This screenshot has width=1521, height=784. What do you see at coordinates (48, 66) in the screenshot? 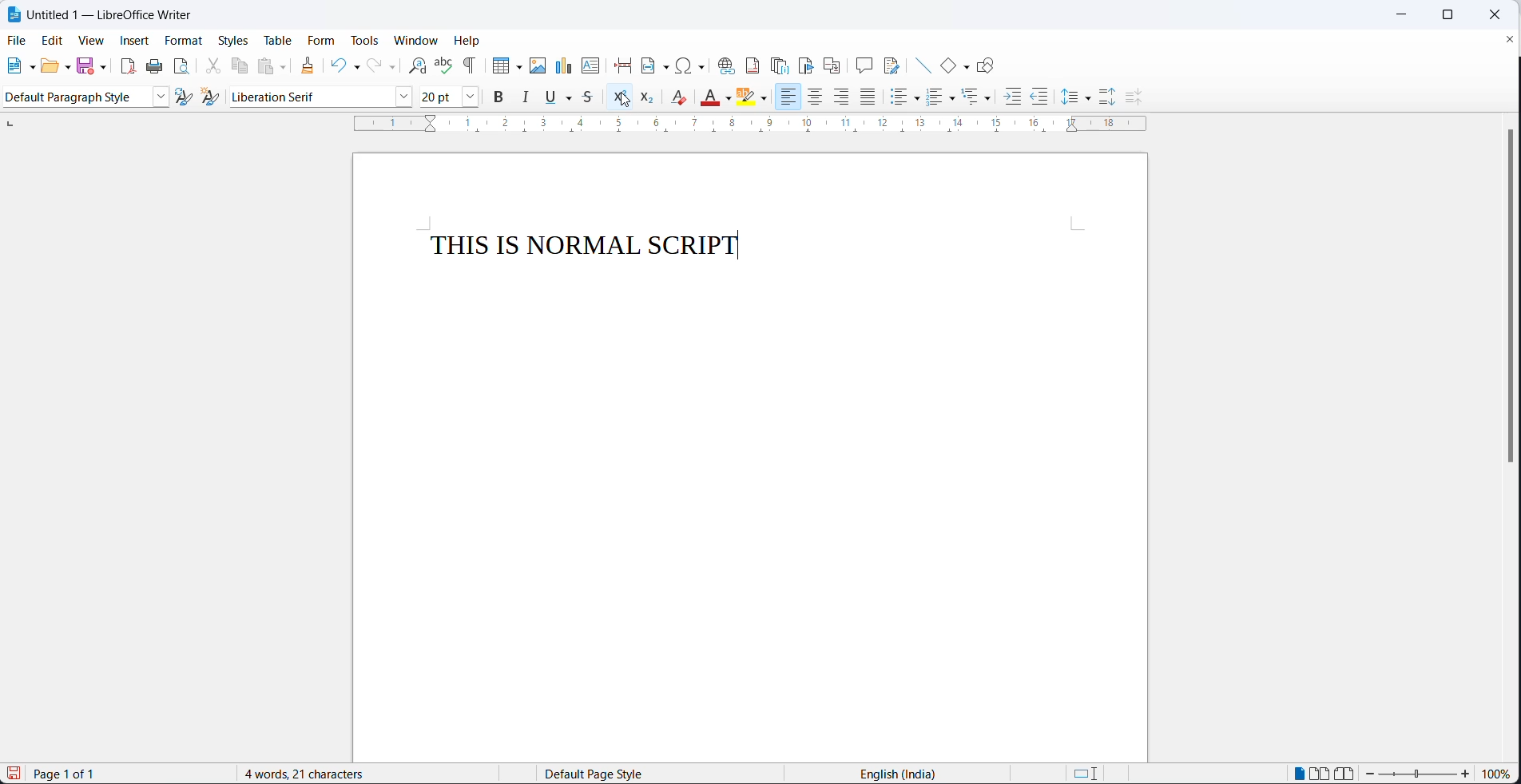
I see `open` at bounding box center [48, 66].